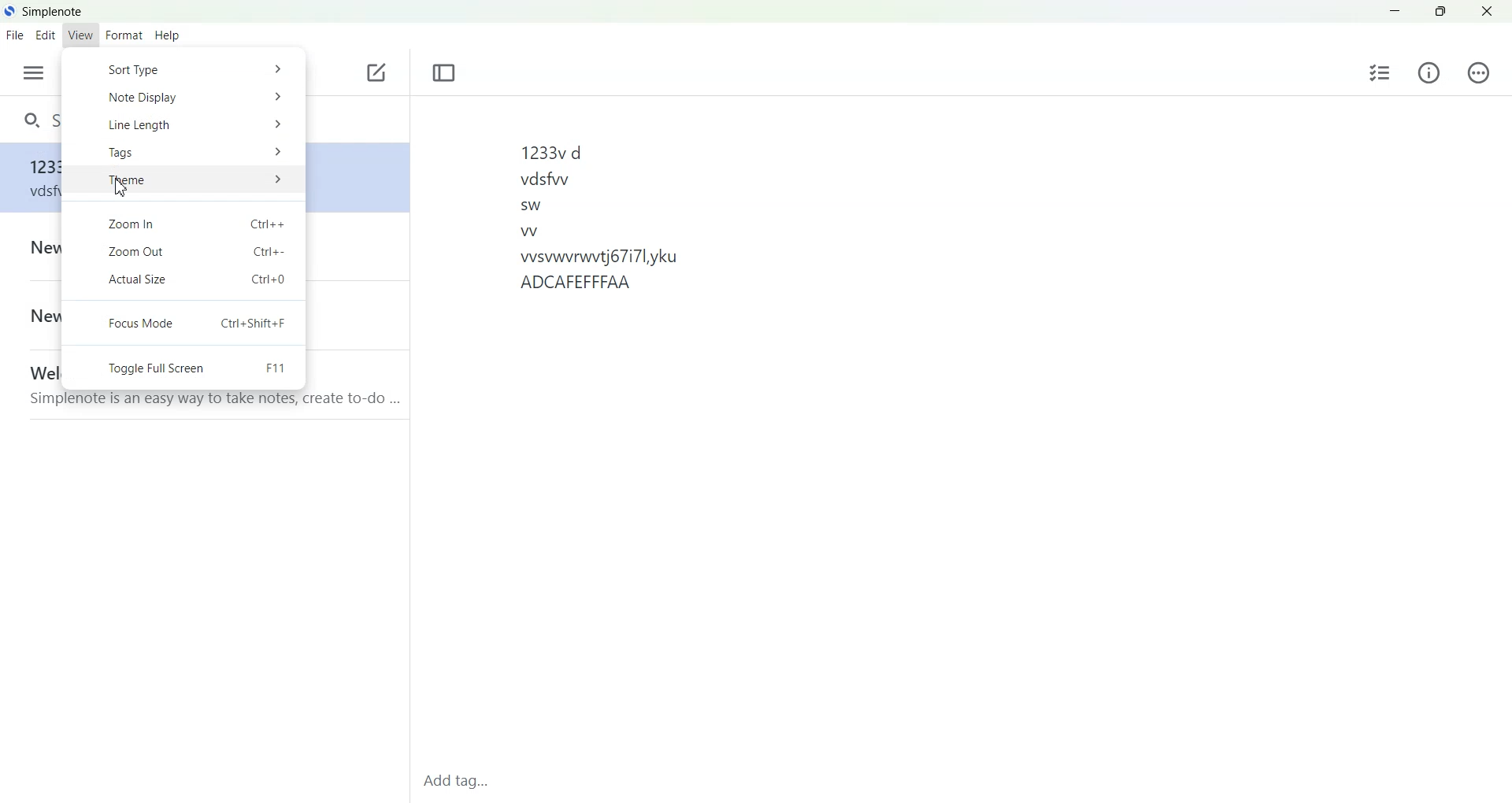 This screenshot has width=1512, height=803. Describe the element at coordinates (34, 72) in the screenshot. I see `open sidebar` at that location.